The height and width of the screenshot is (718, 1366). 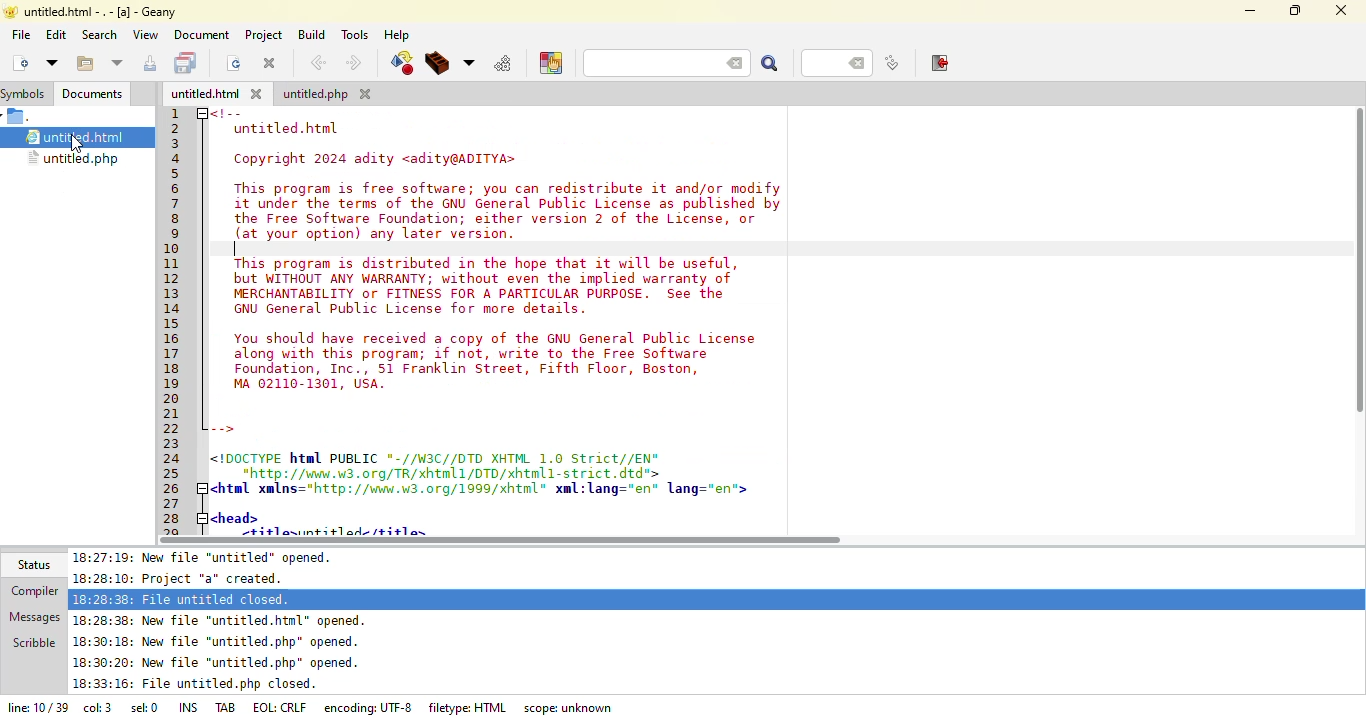 I want to click on minimize, so click(x=1251, y=11).